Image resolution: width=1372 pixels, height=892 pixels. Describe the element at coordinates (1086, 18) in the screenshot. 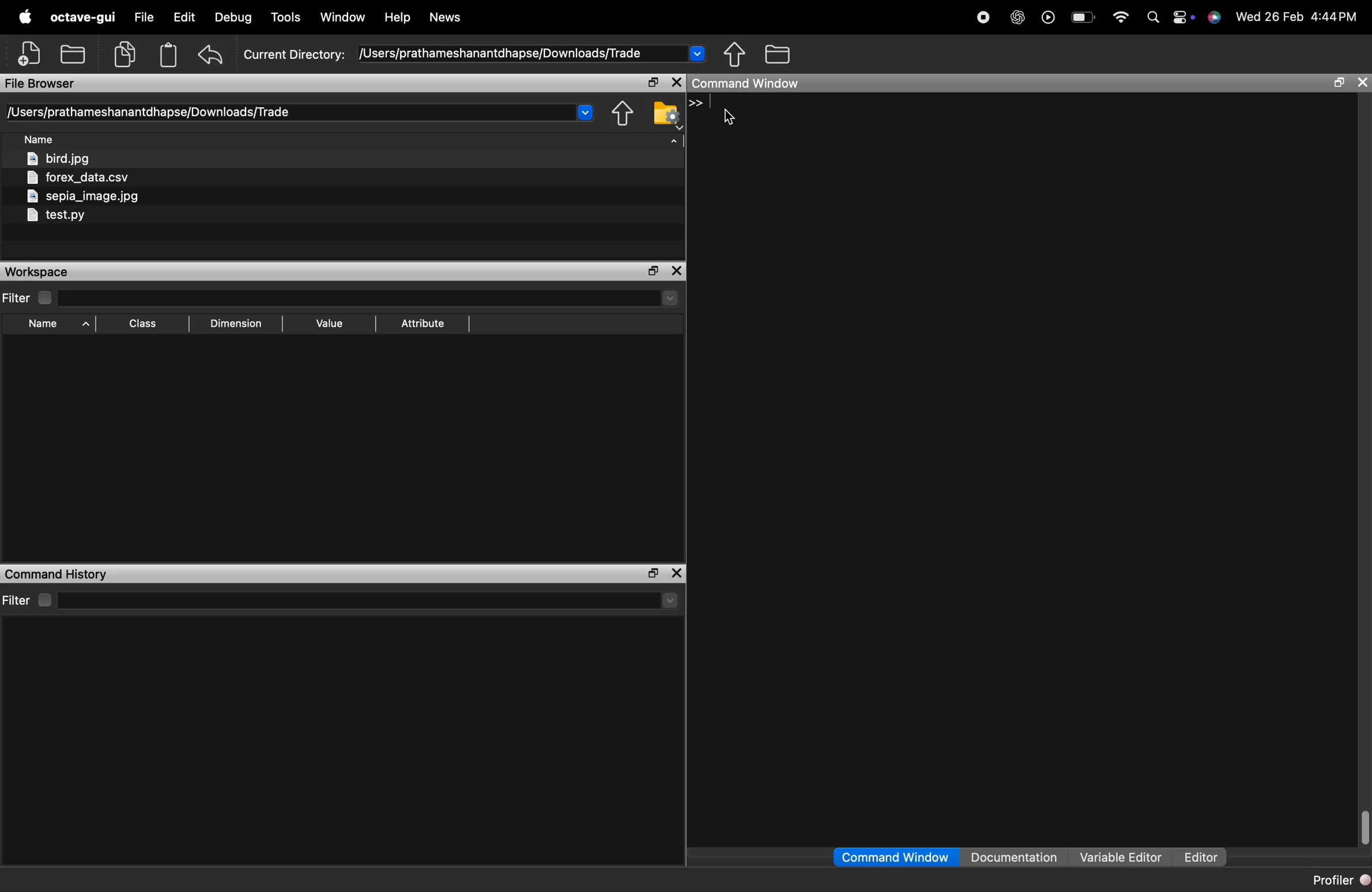

I see `battery` at that location.